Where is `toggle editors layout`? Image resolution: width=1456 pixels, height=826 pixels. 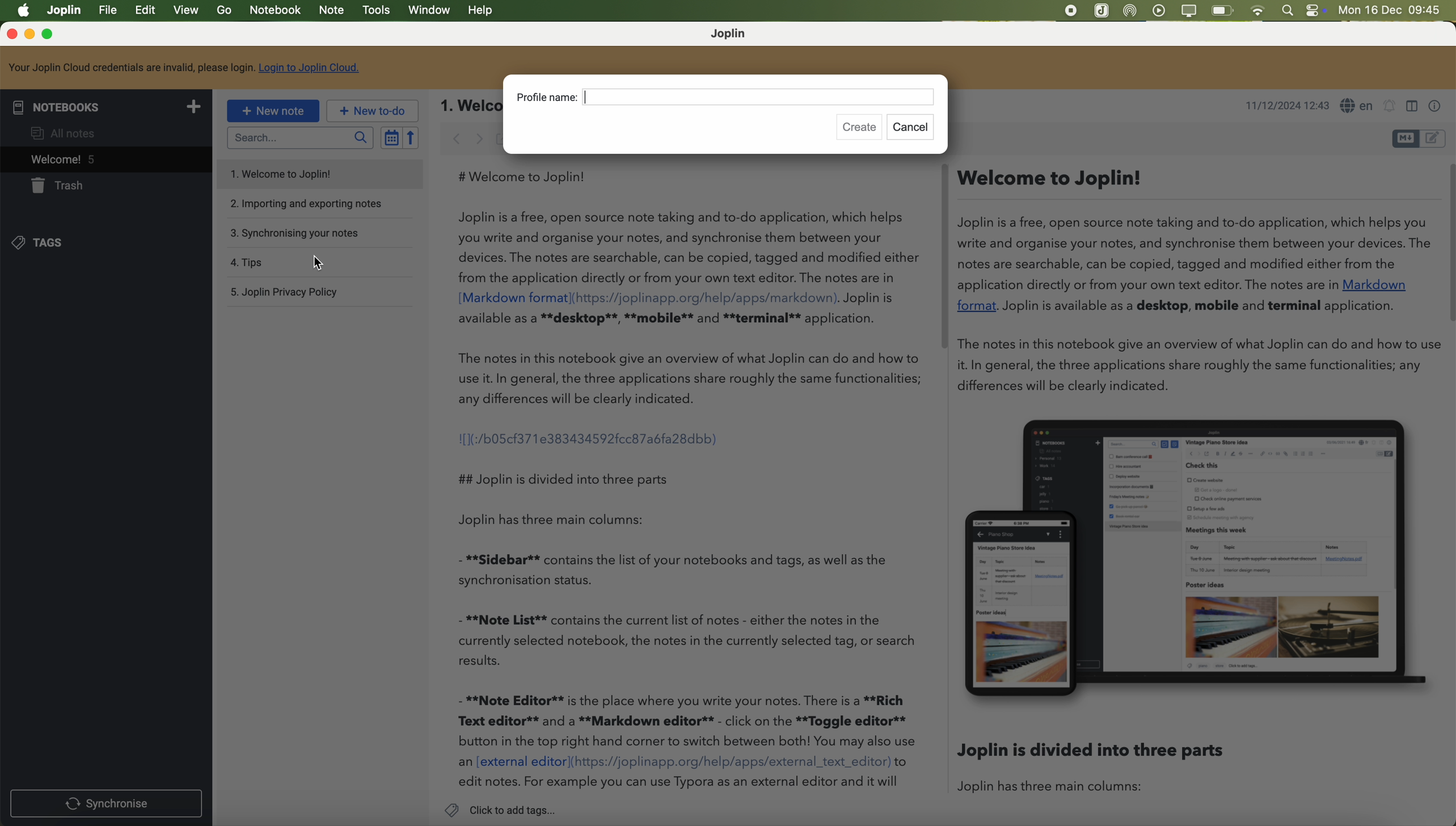
toggle editors layout is located at coordinates (1411, 107).